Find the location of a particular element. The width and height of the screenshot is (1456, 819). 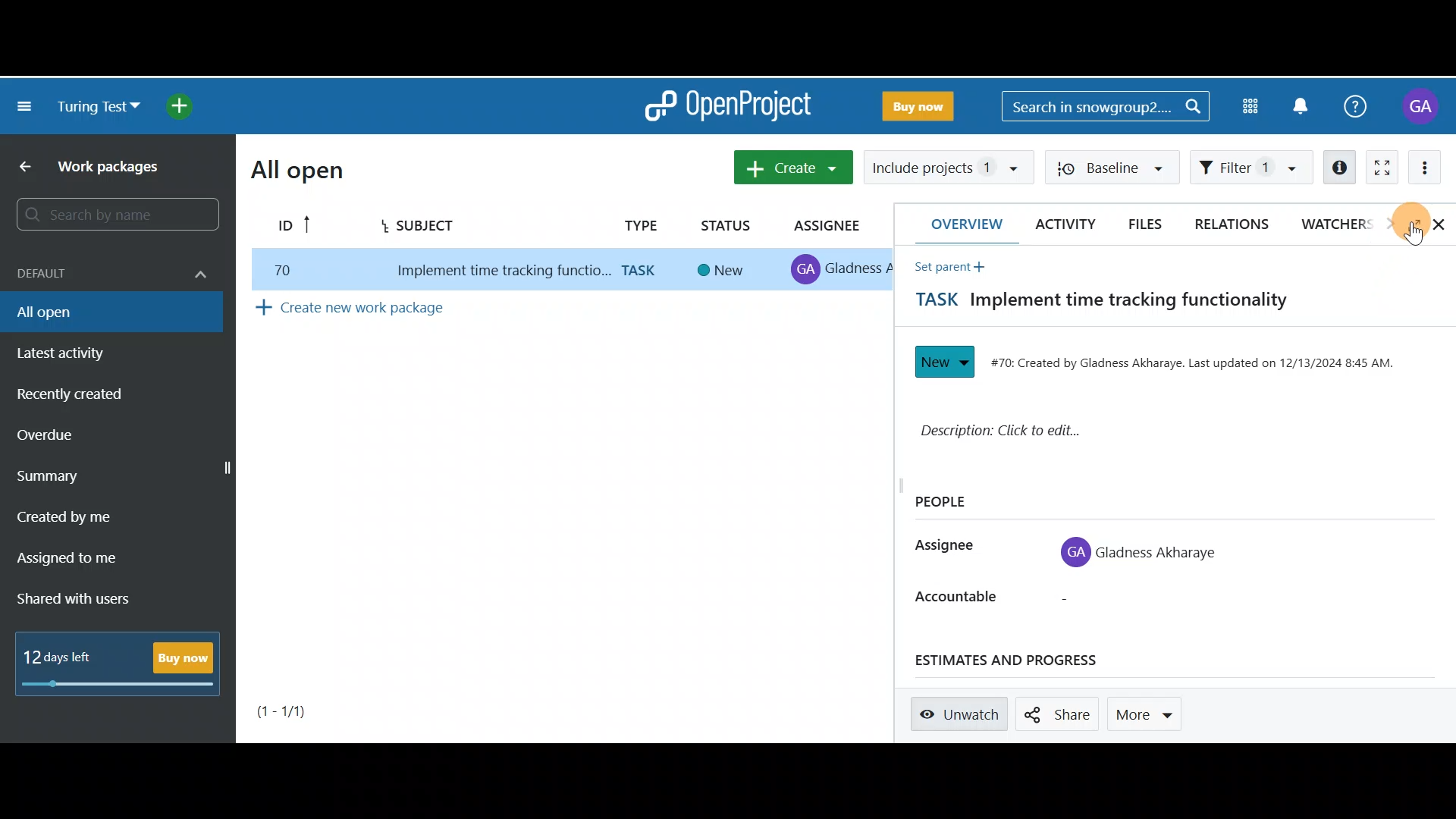

Baseline is located at coordinates (1115, 165).